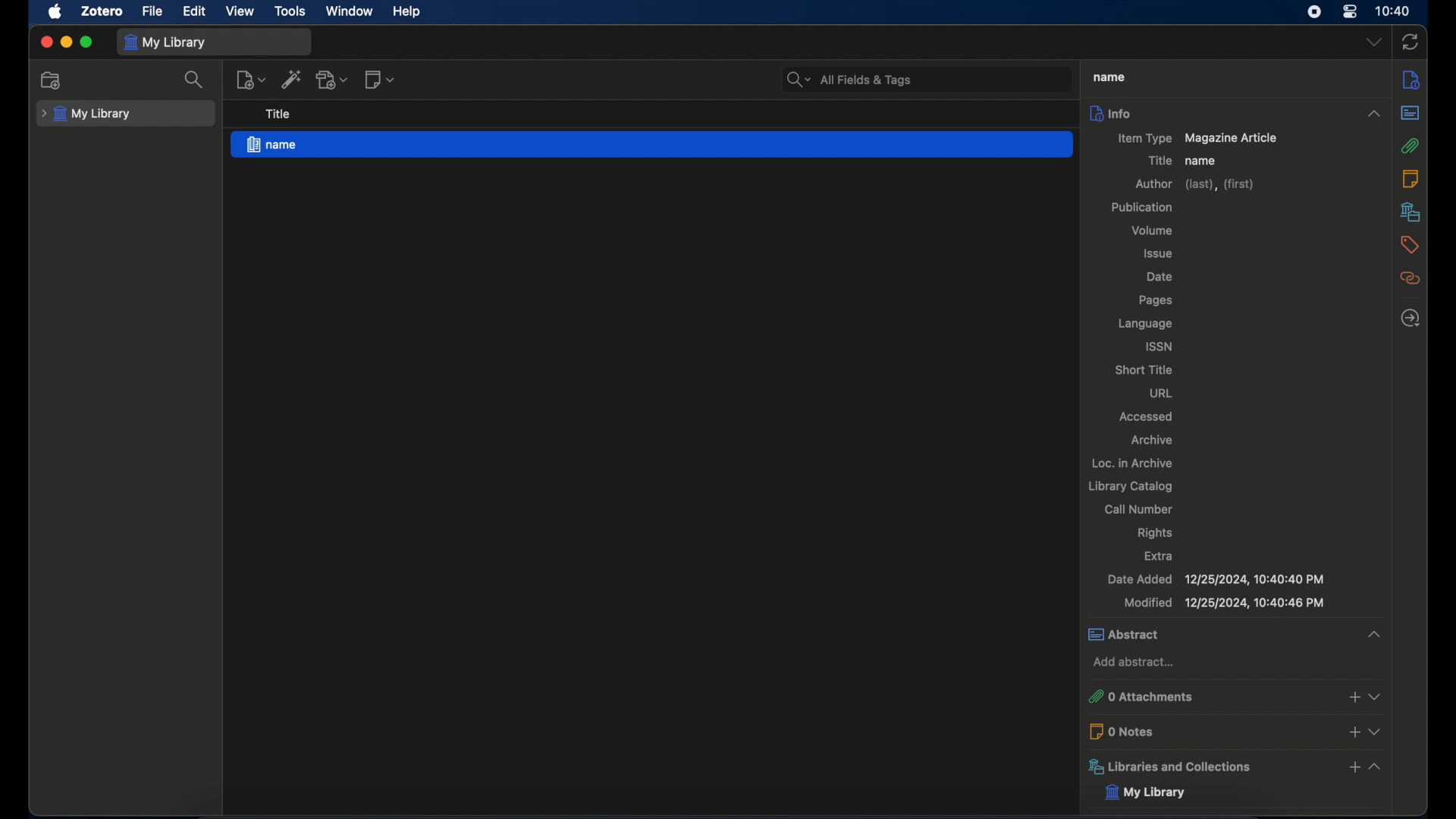  Describe the element at coordinates (1147, 416) in the screenshot. I see `accessed` at that location.